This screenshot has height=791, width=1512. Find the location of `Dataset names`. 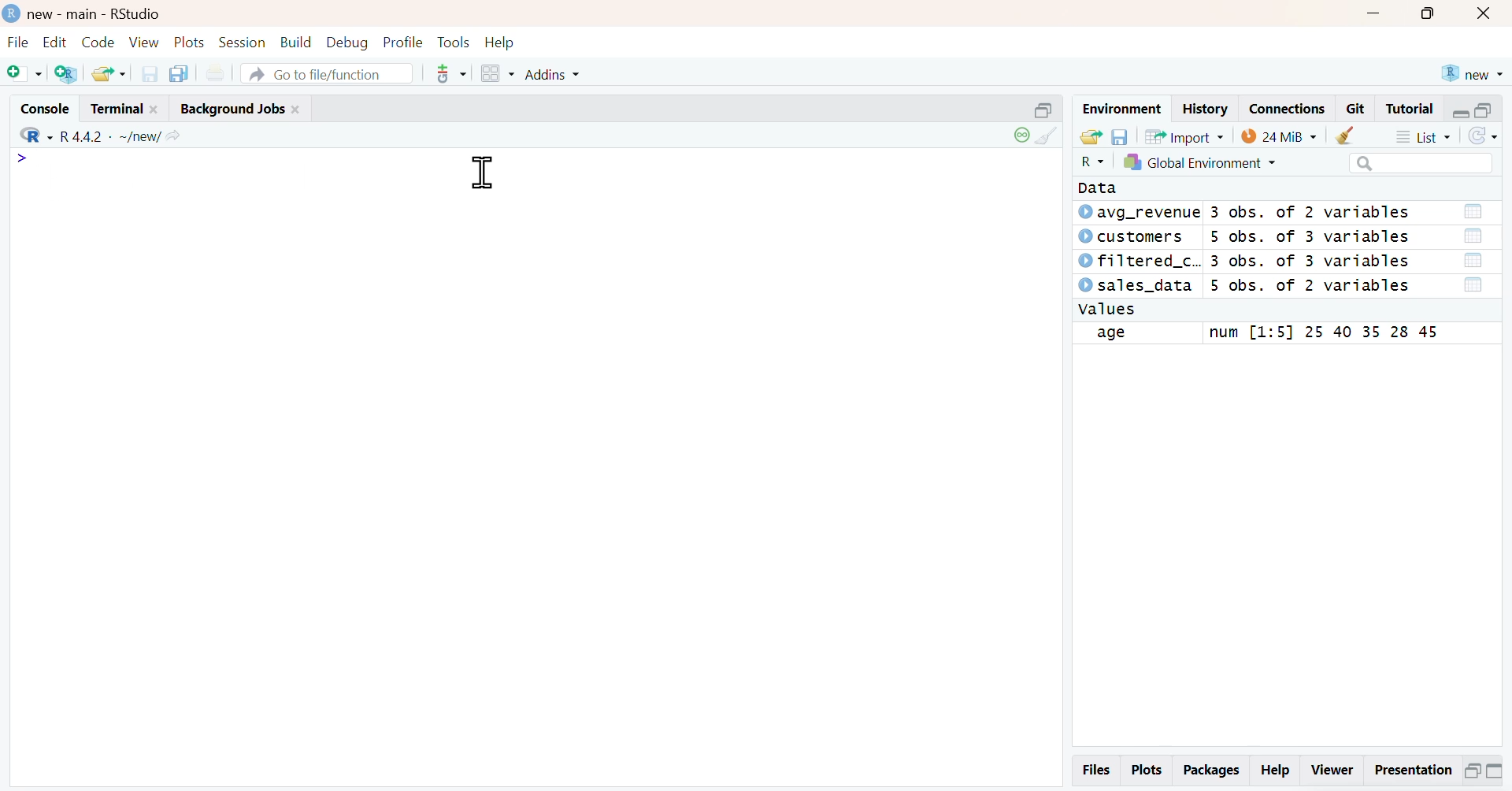

Dataset names is located at coordinates (1138, 249).